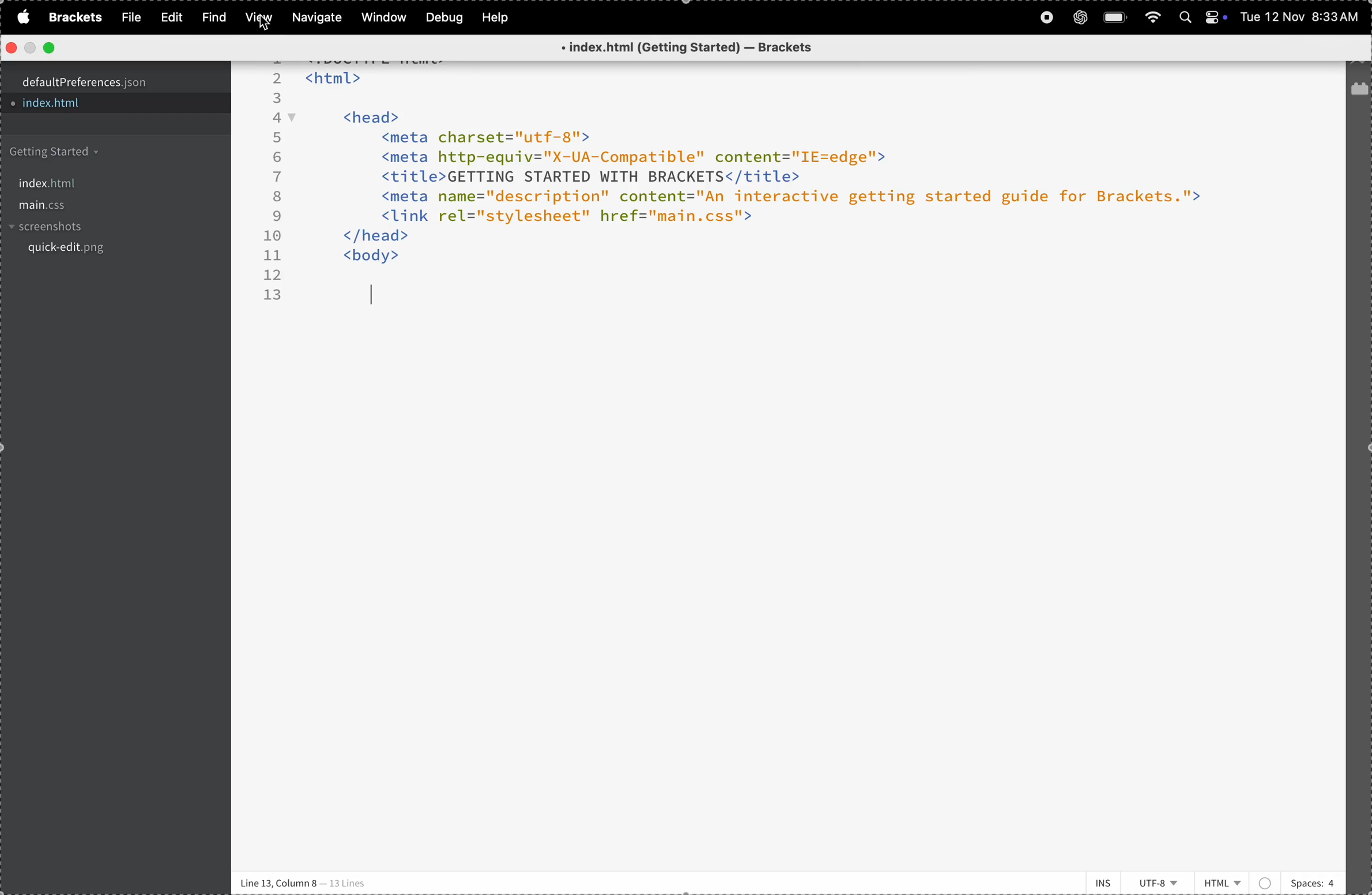  What do you see at coordinates (104, 252) in the screenshot?
I see `quick-edit.png` at bounding box center [104, 252].